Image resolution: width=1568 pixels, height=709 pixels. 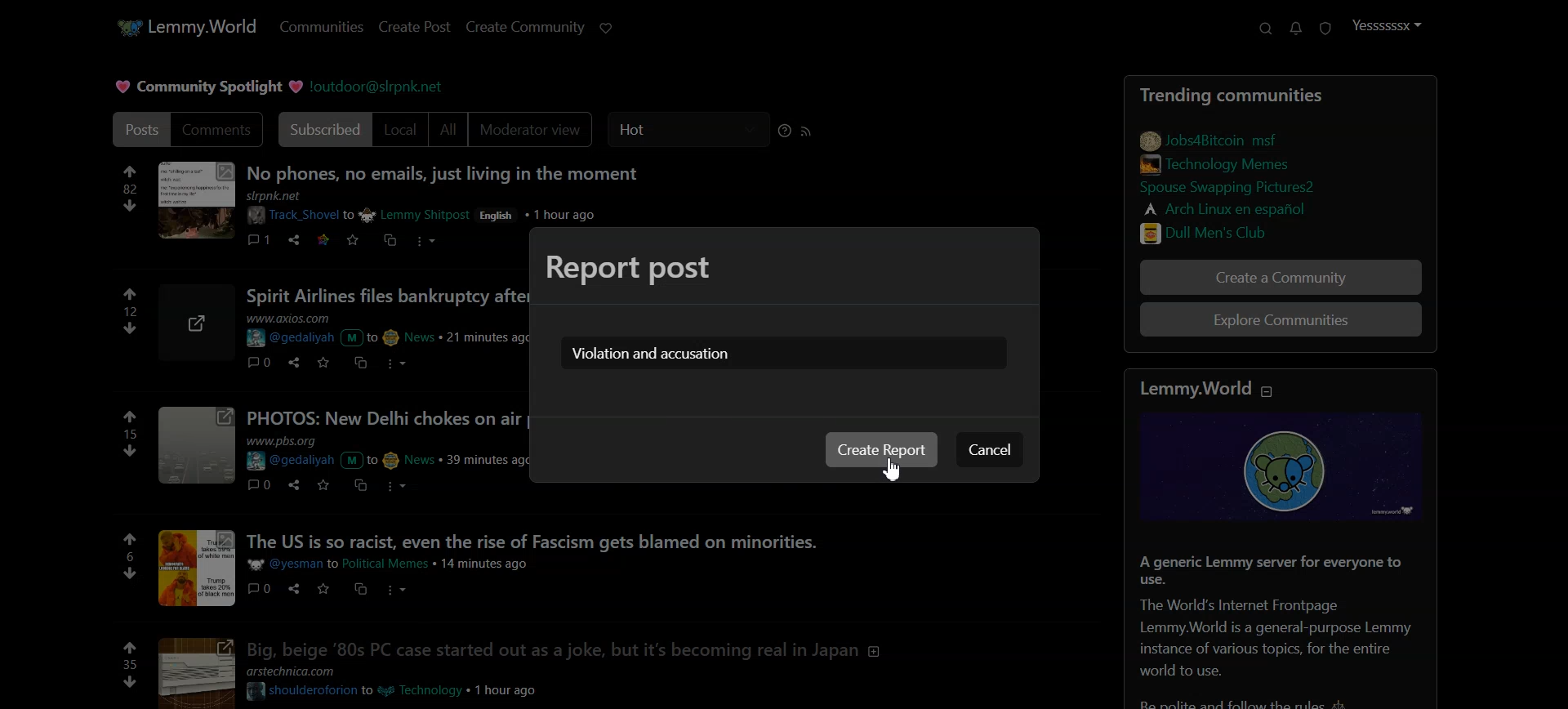 What do you see at coordinates (571, 539) in the screenshot?
I see `post` at bounding box center [571, 539].